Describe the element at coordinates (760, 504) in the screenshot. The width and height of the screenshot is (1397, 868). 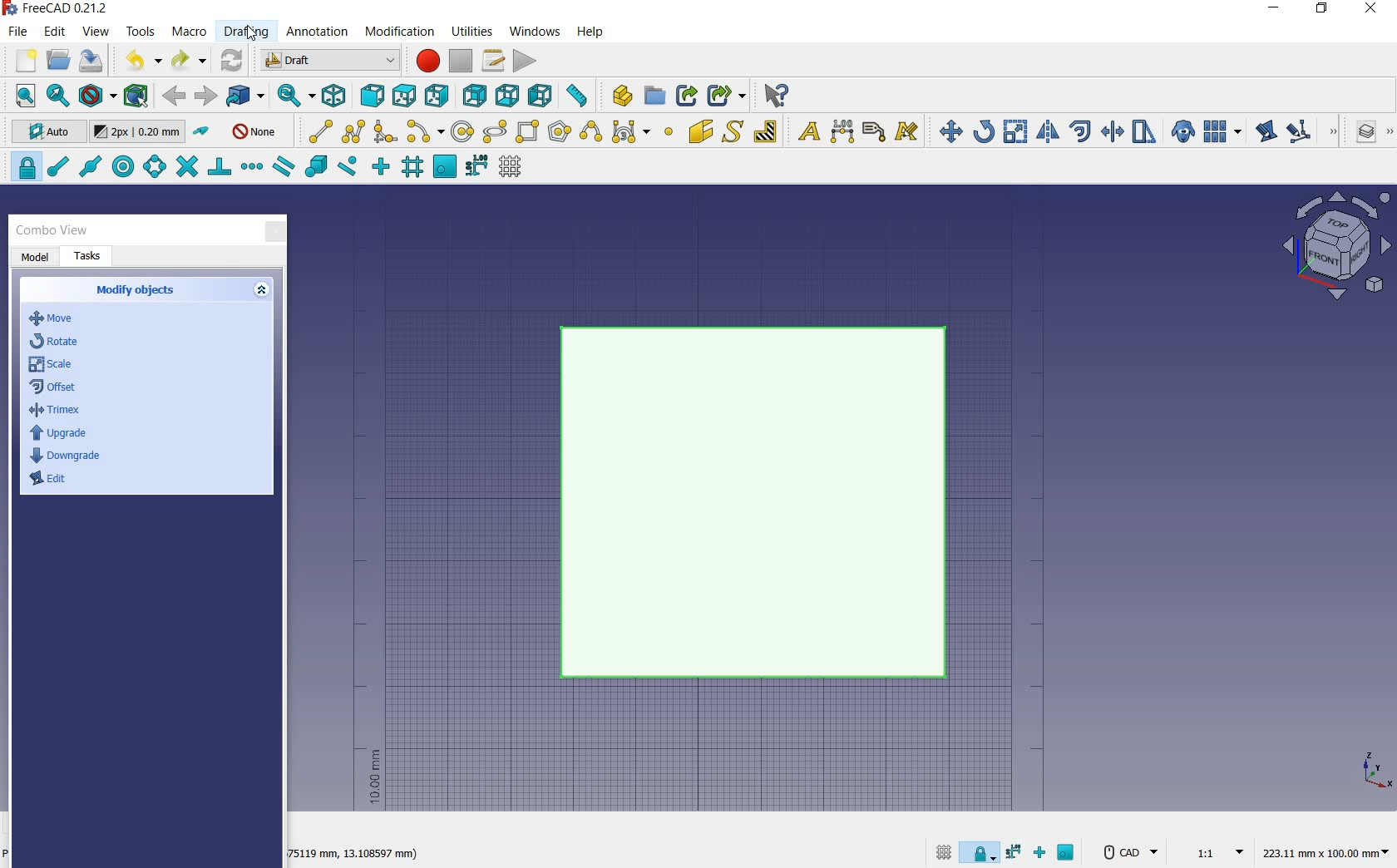
I see `object` at that location.